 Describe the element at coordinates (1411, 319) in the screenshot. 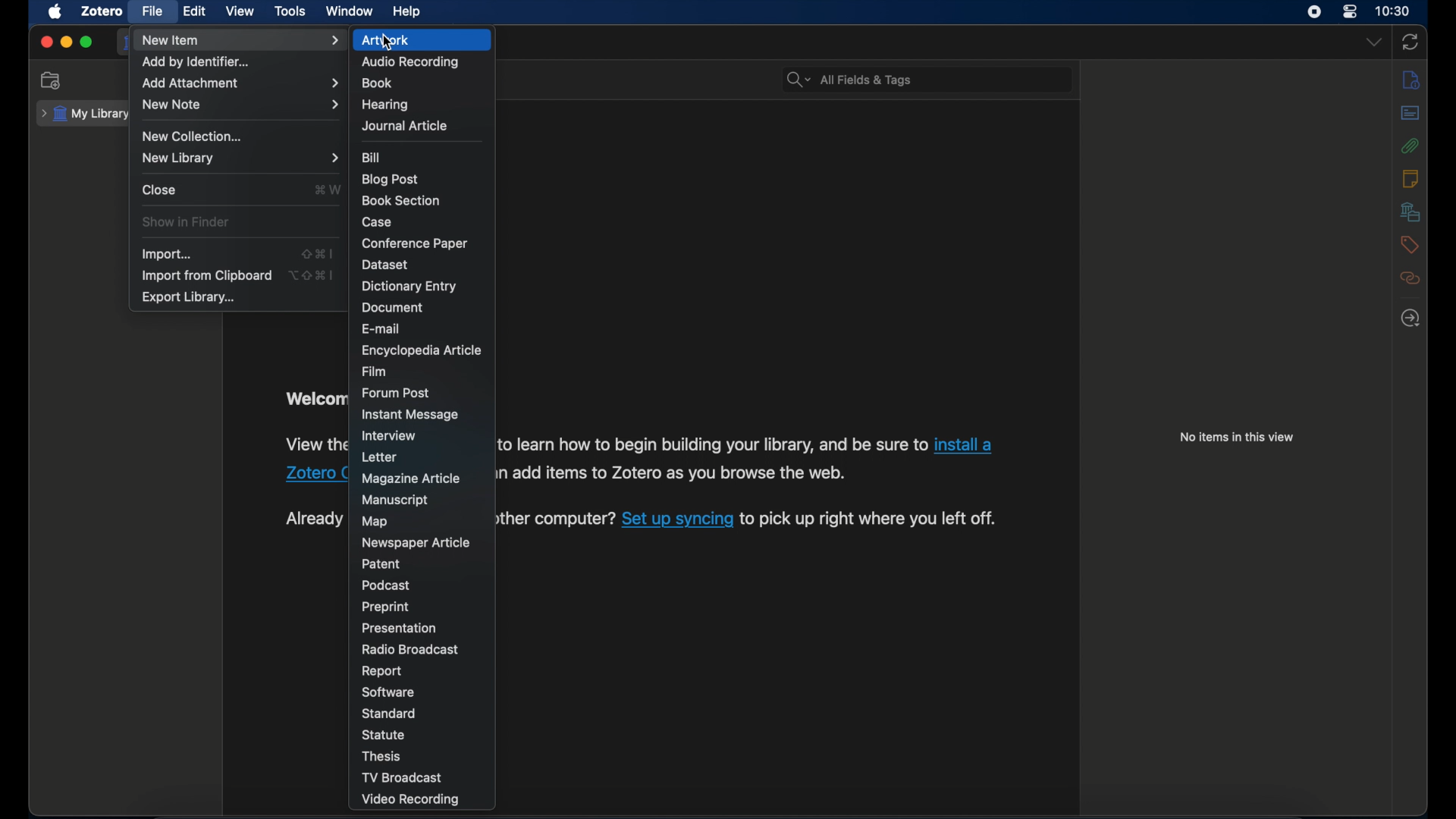

I see `locate` at that location.